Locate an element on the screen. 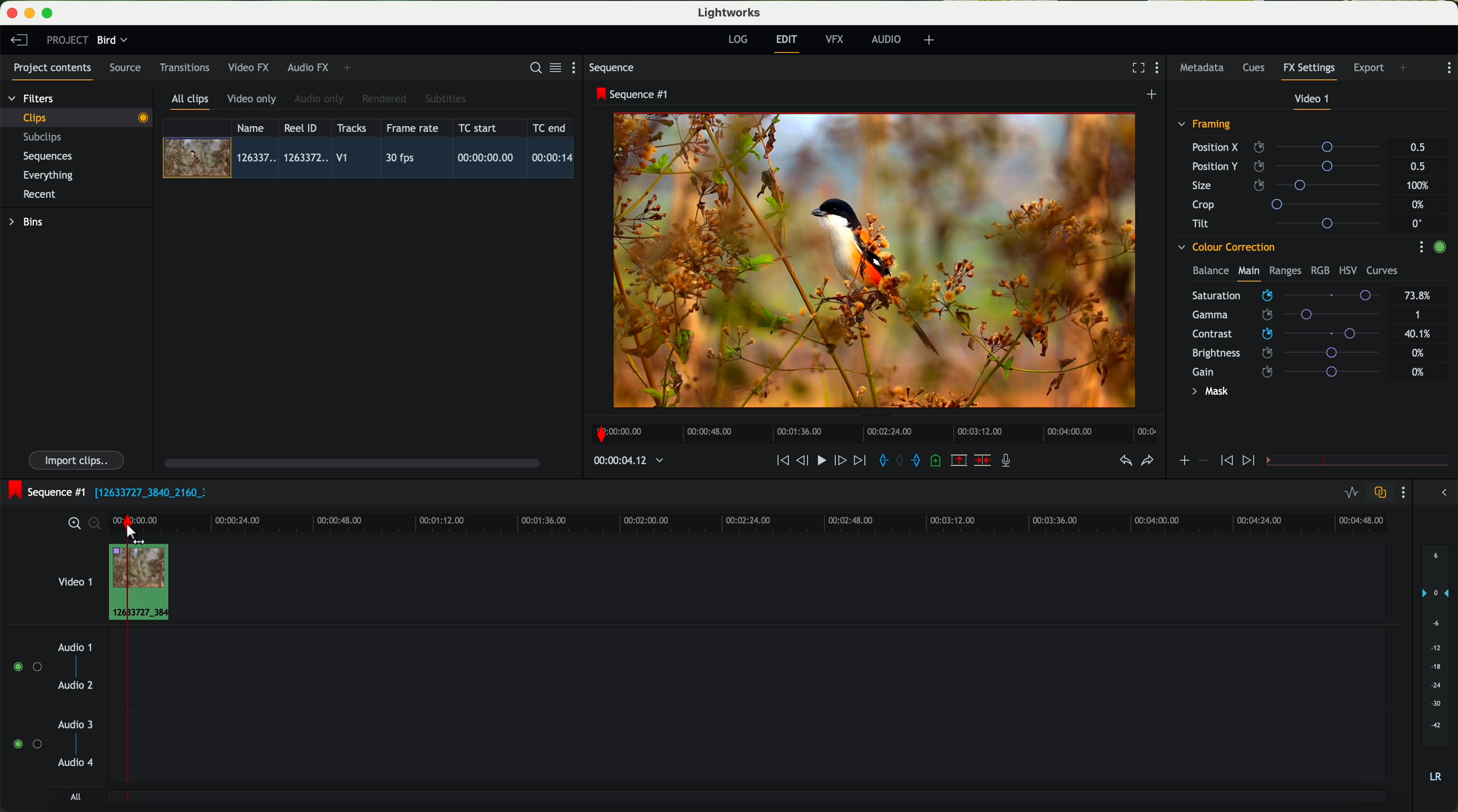  100% is located at coordinates (1421, 186).